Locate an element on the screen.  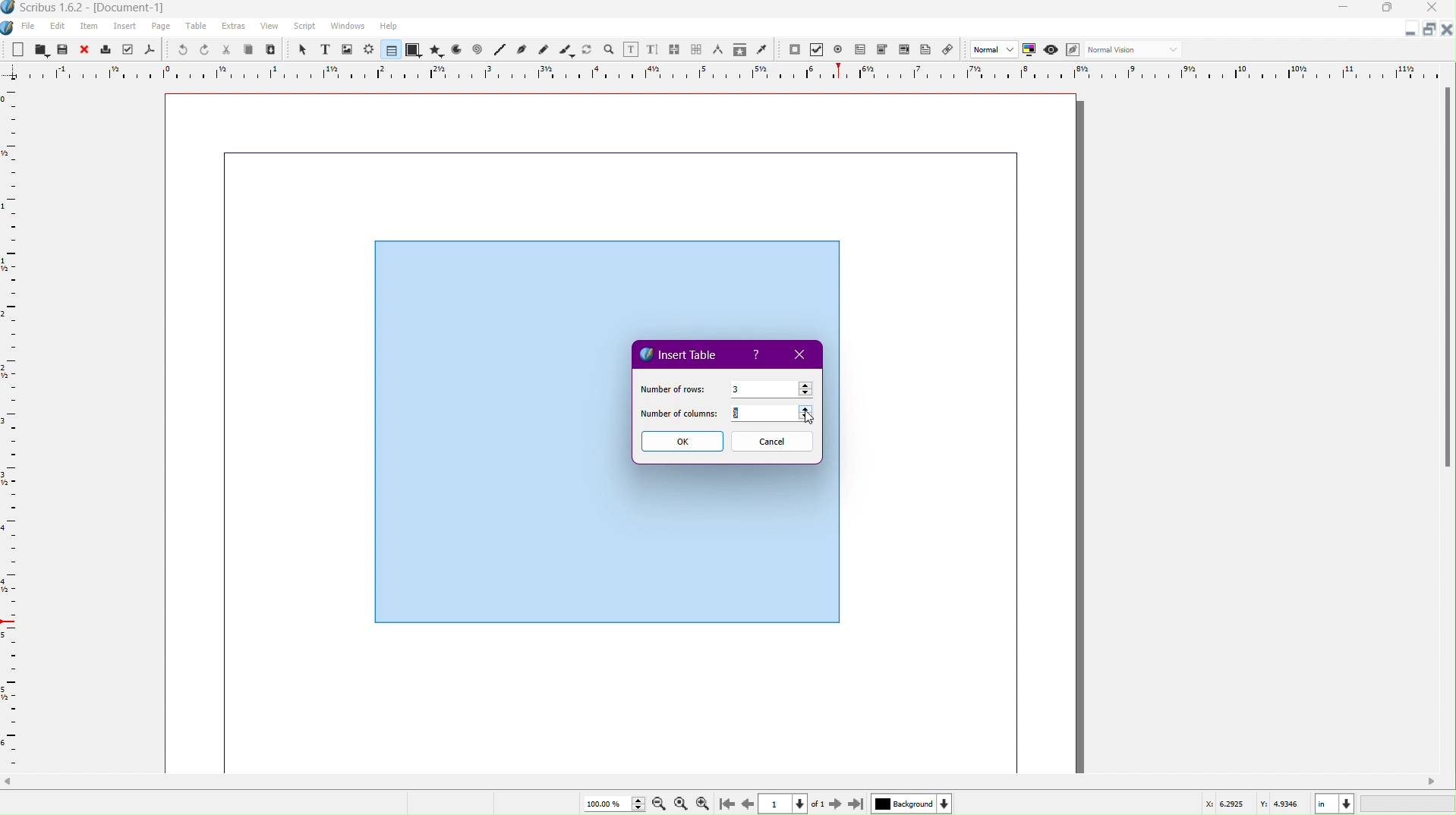
Eye Dropper is located at coordinates (761, 49).